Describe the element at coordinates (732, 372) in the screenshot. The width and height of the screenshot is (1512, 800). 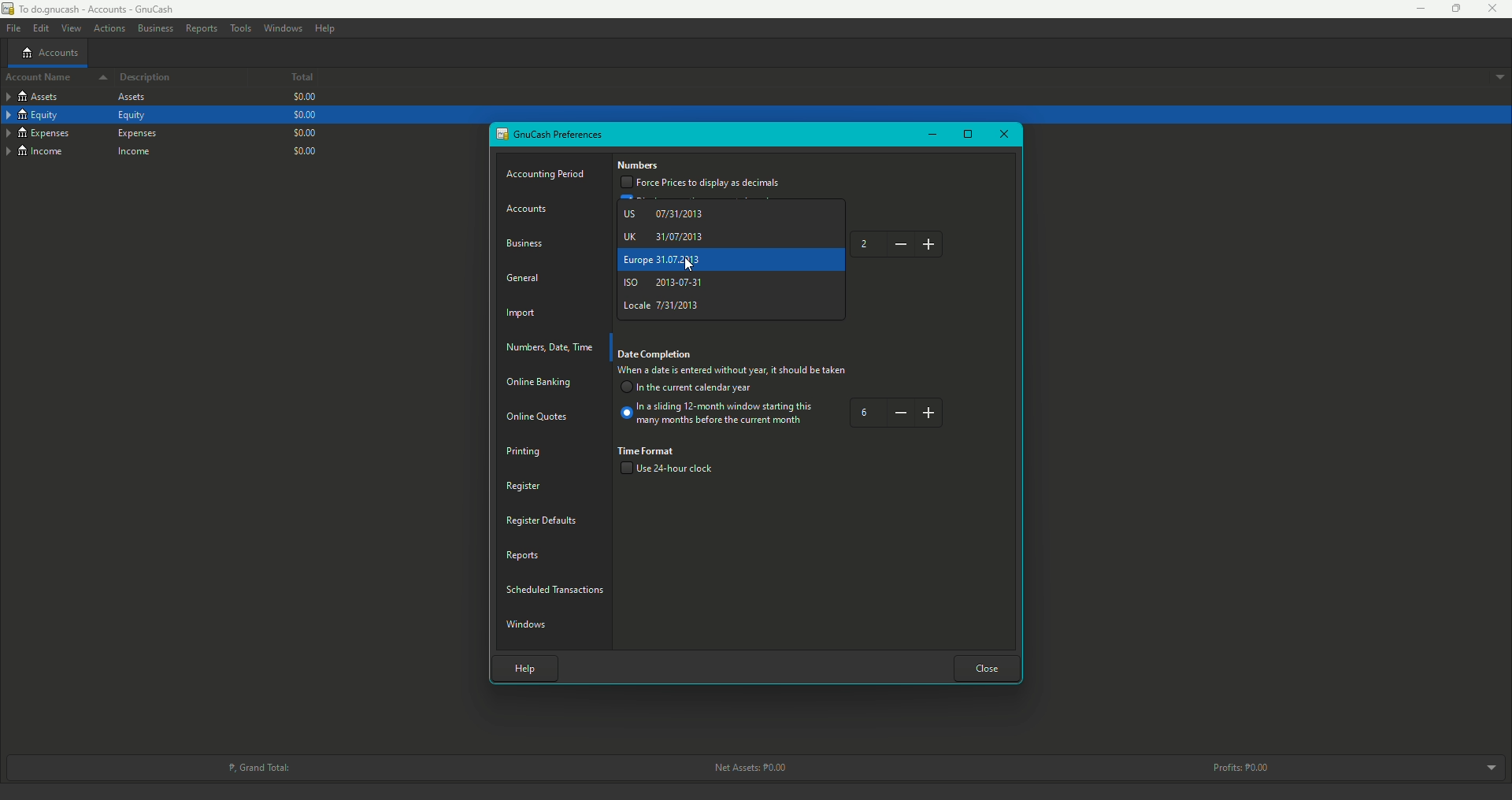
I see `When a date is entered without year` at that location.